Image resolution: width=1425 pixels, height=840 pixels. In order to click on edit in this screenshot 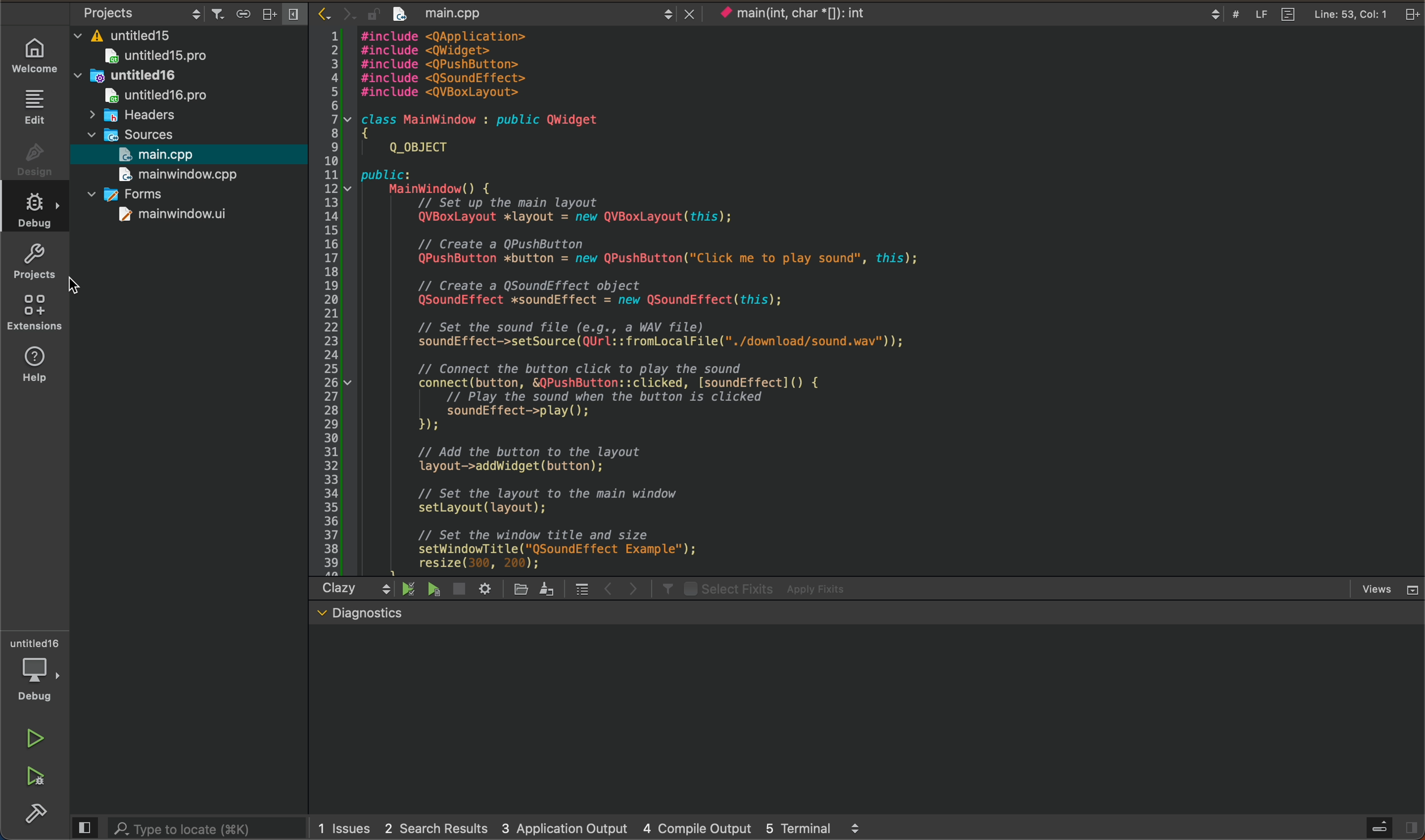, I will do `click(35, 106)`.